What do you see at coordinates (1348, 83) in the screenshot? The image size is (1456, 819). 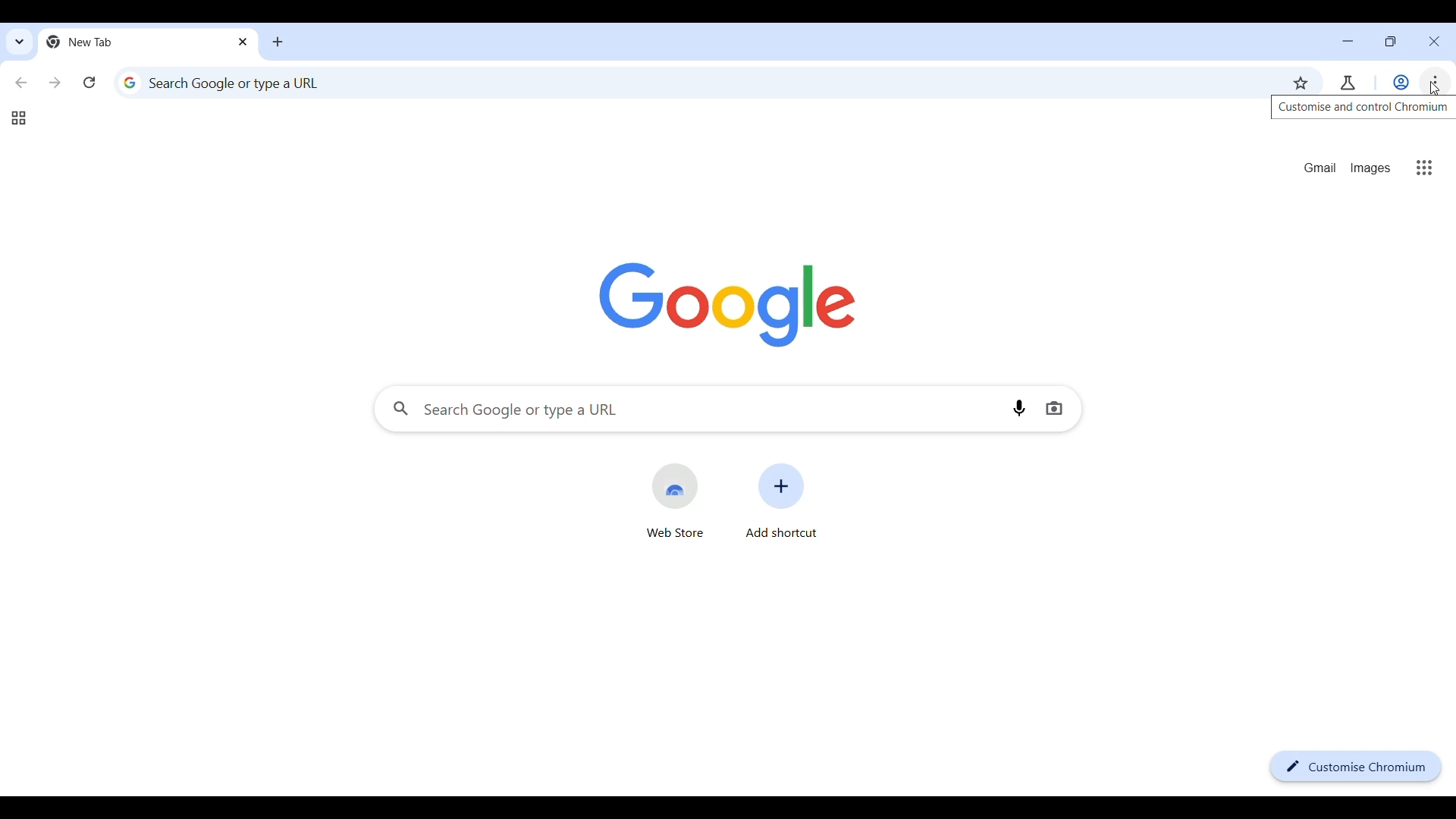 I see `Chrome labs` at bounding box center [1348, 83].